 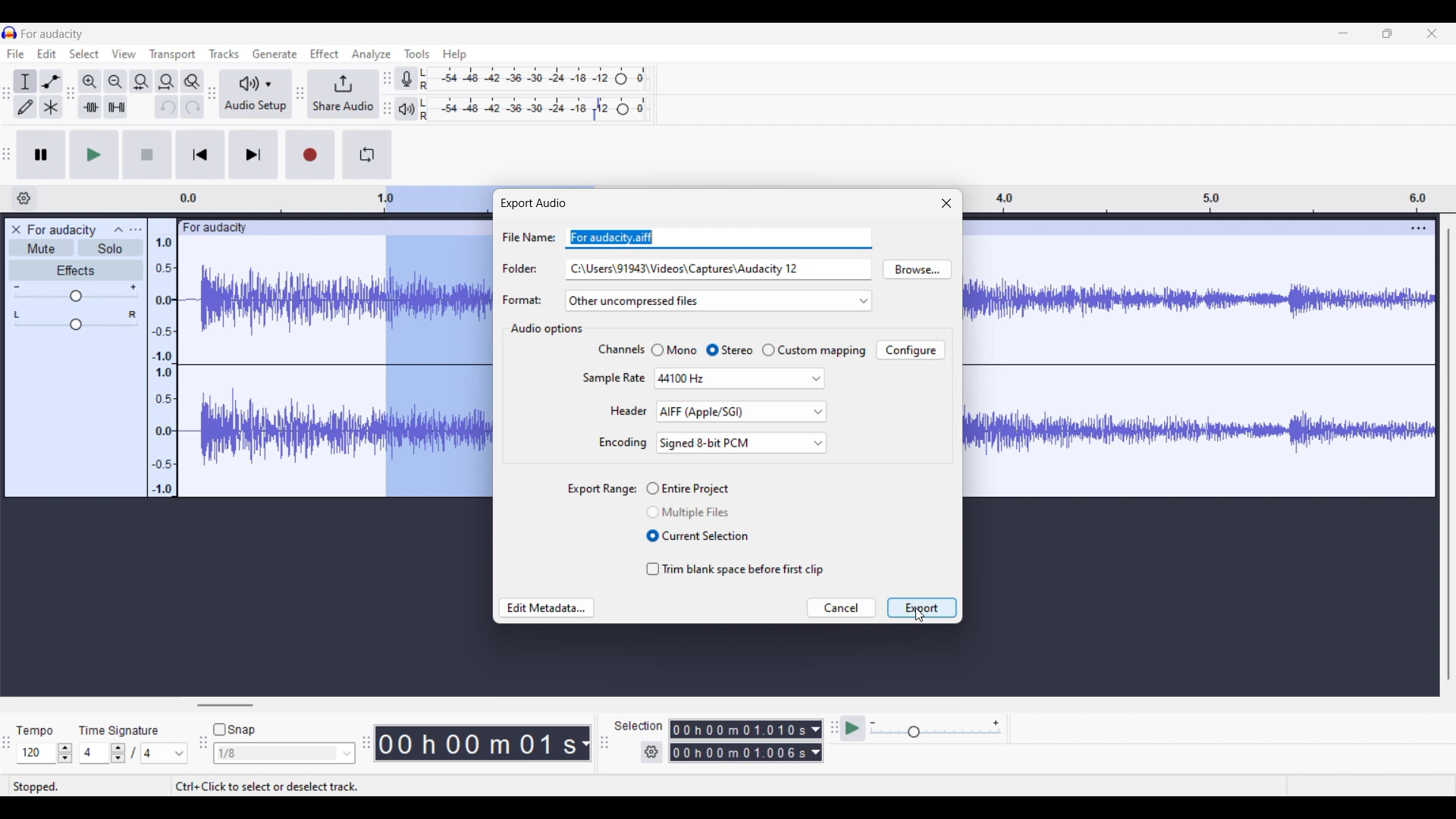 What do you see at coordinates (167, 106) in the screenshot?
I see `Undo` at bounding box center [167, 106].